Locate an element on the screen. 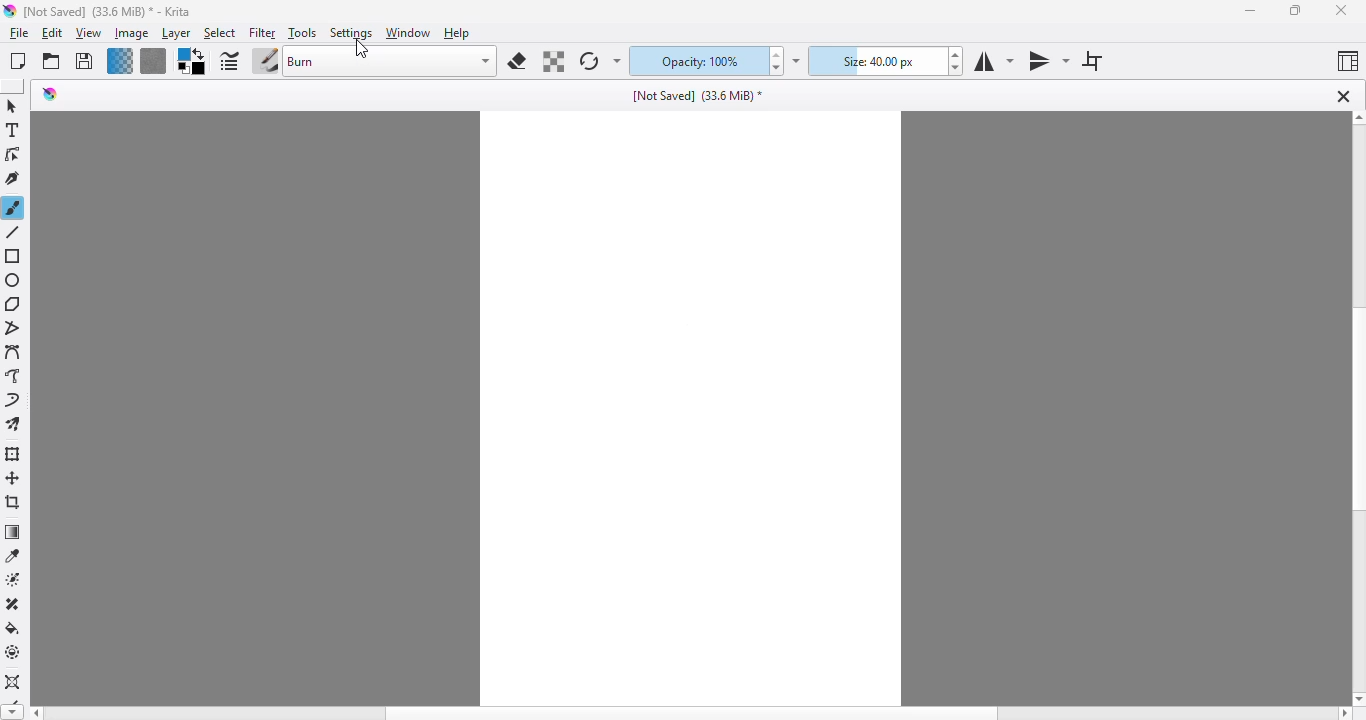 The width and height of the screenshot is (1366, 720). horizontal scroll bar is located at coordinates (690, 713).